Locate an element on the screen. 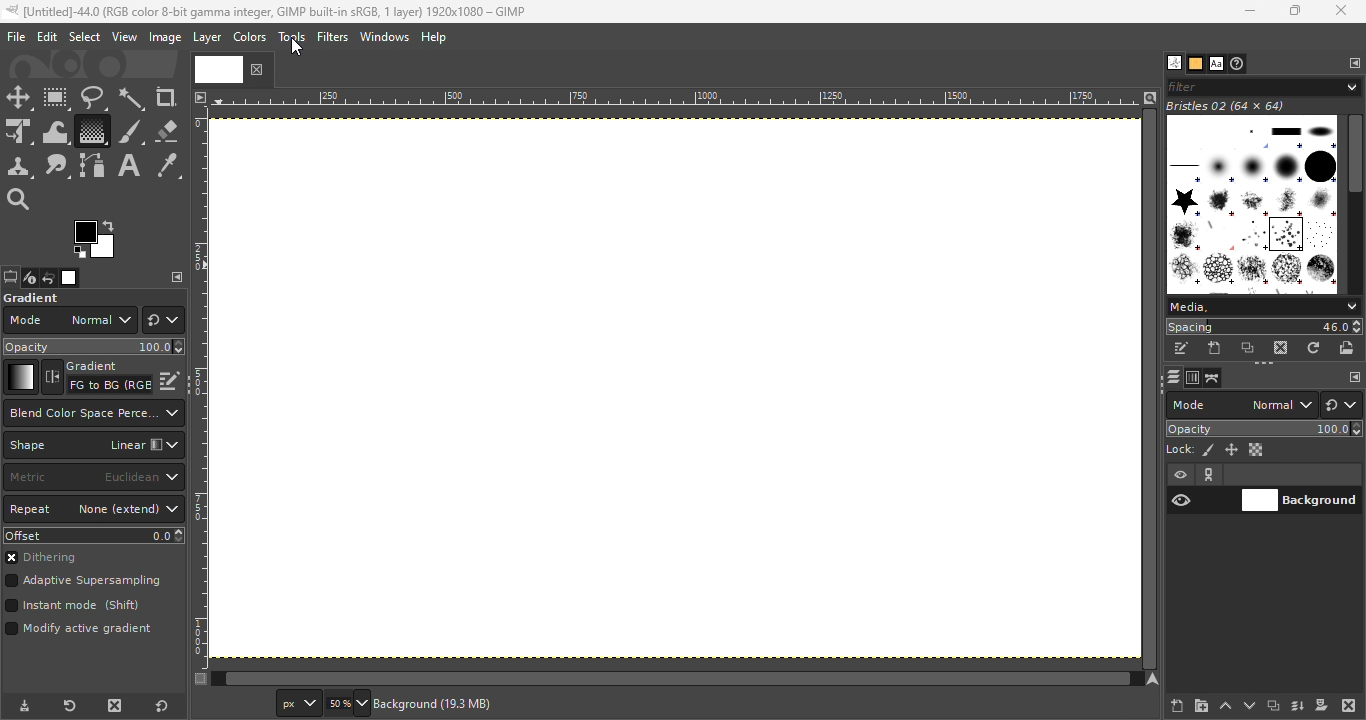 Image resolution: width=1366 pixels, height=720 pixels. Colors is located at coordinates (248, 36).